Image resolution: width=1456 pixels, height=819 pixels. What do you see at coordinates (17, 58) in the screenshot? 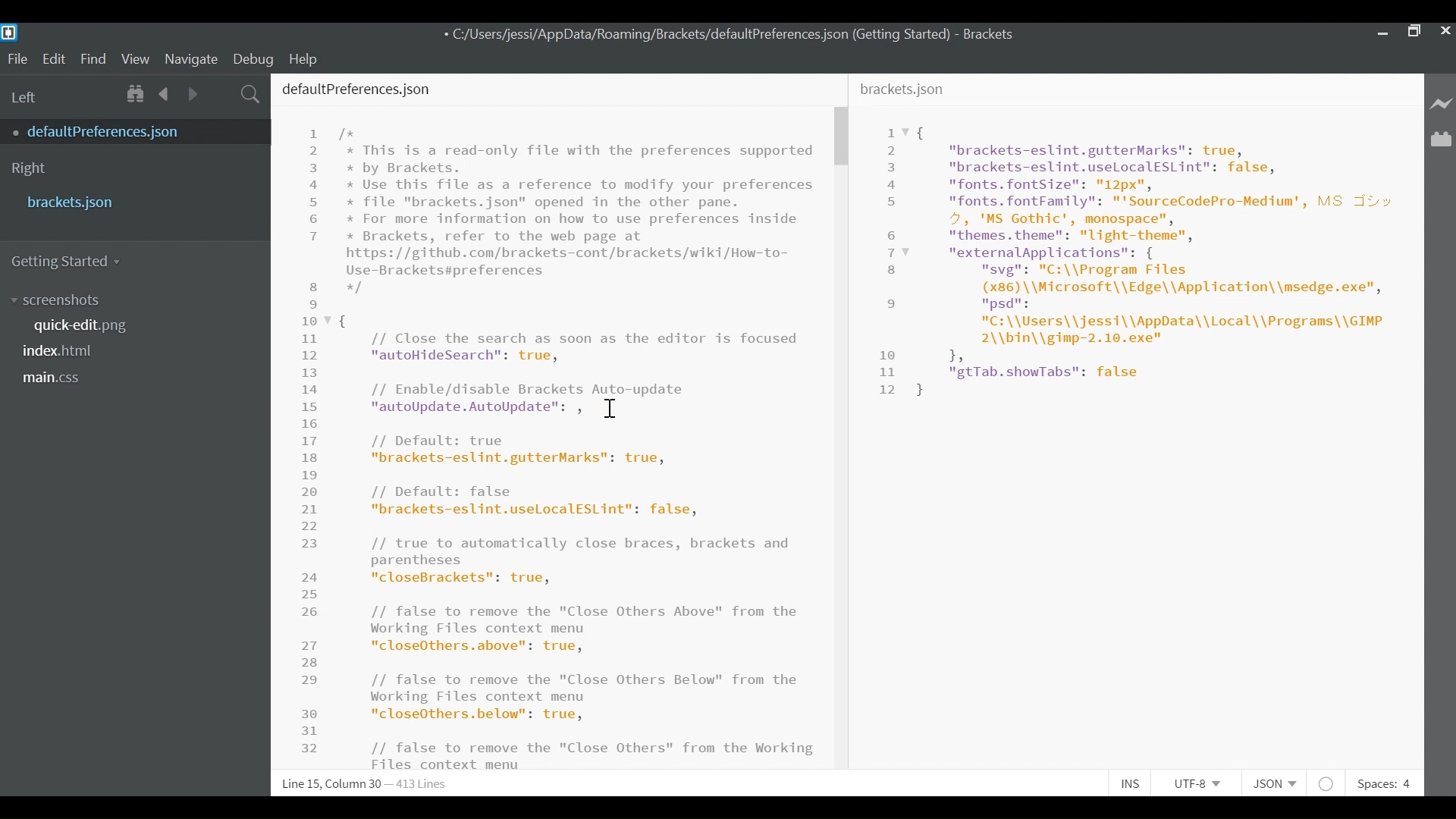
I see `File` at bounding box center [17, 58].